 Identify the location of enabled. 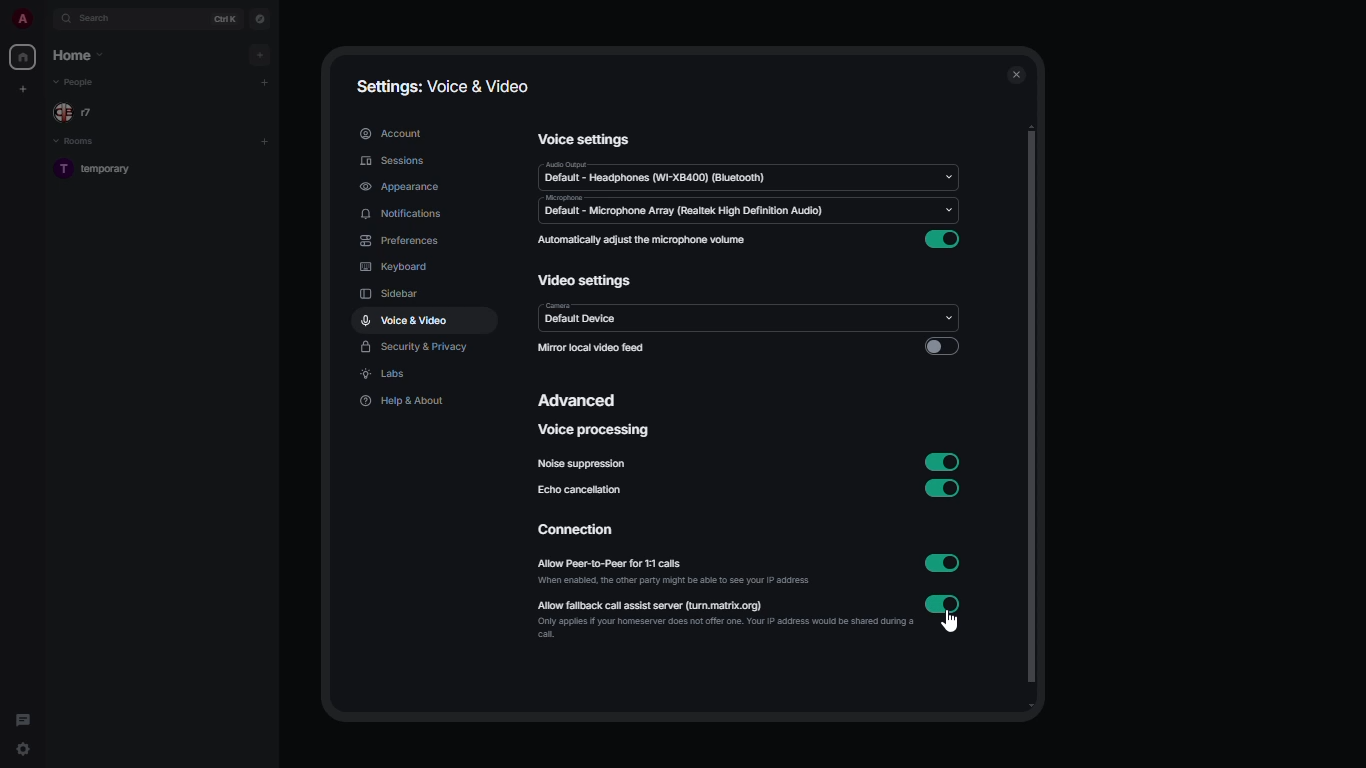
(942, 241).